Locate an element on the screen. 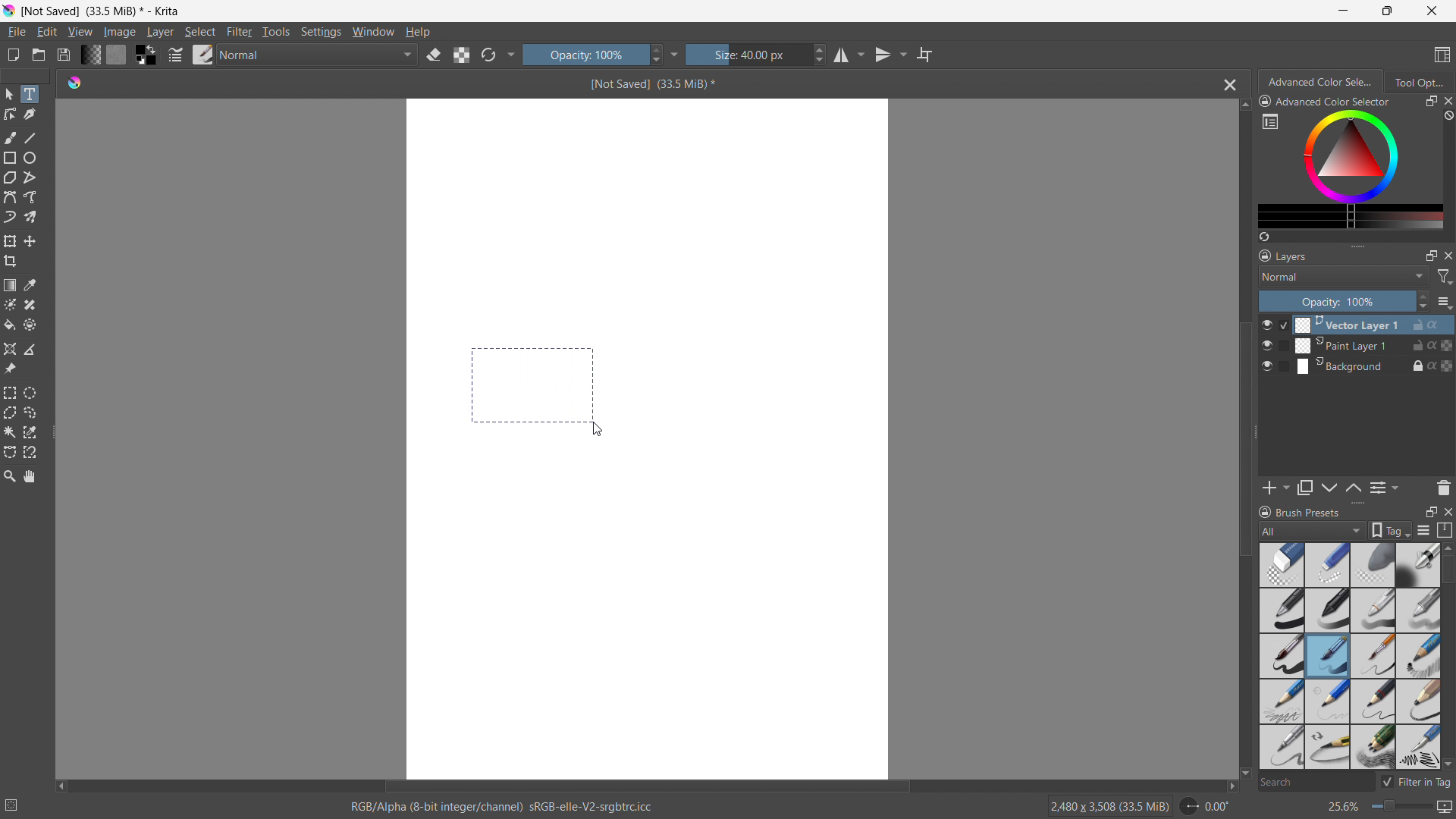 This screenshot has height=819, width=1456. bezier curve tool is located at coordinates (10, 197).